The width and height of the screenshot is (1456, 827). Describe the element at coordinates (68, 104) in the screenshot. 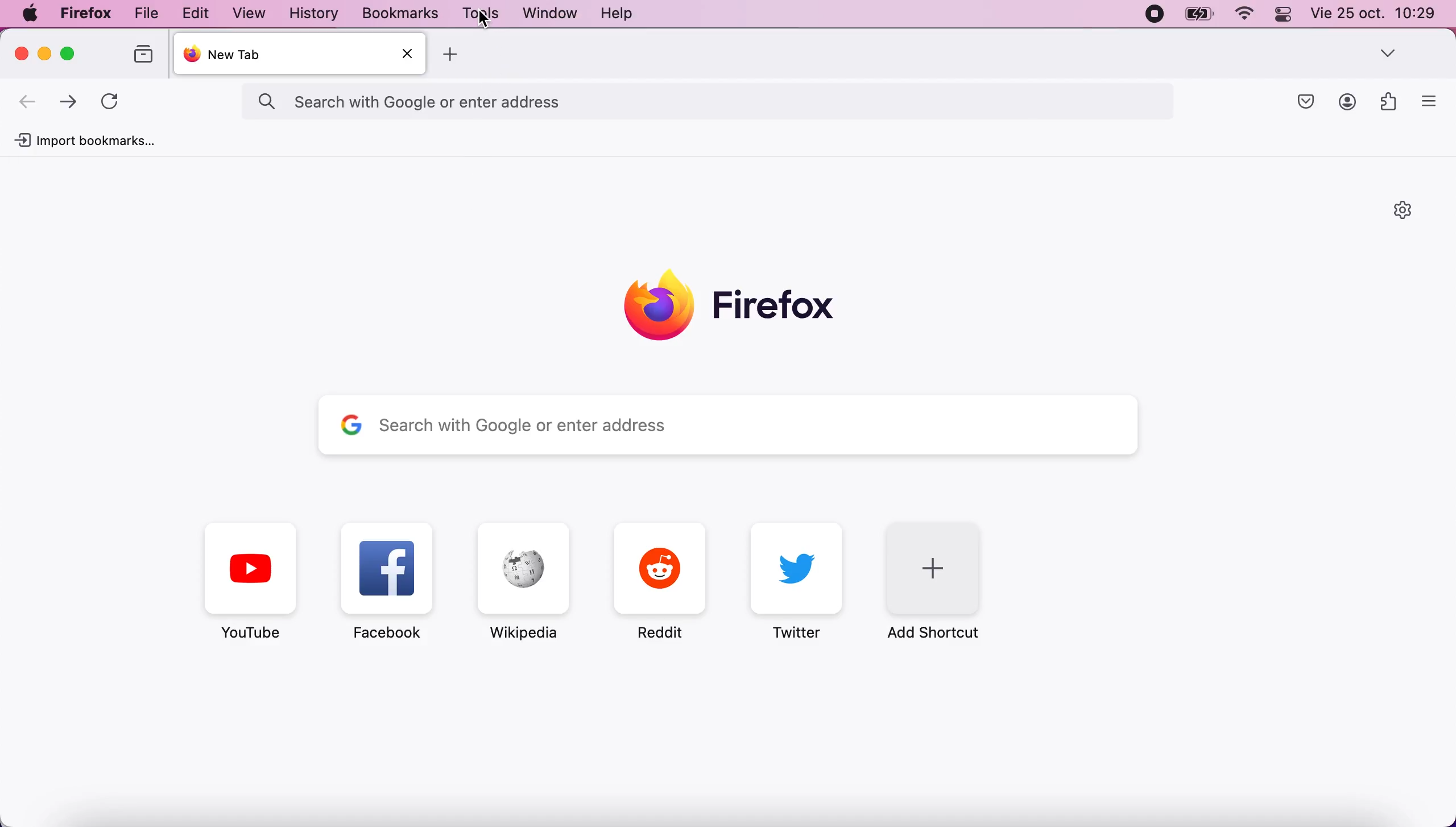

I see `Move forward` at that location.